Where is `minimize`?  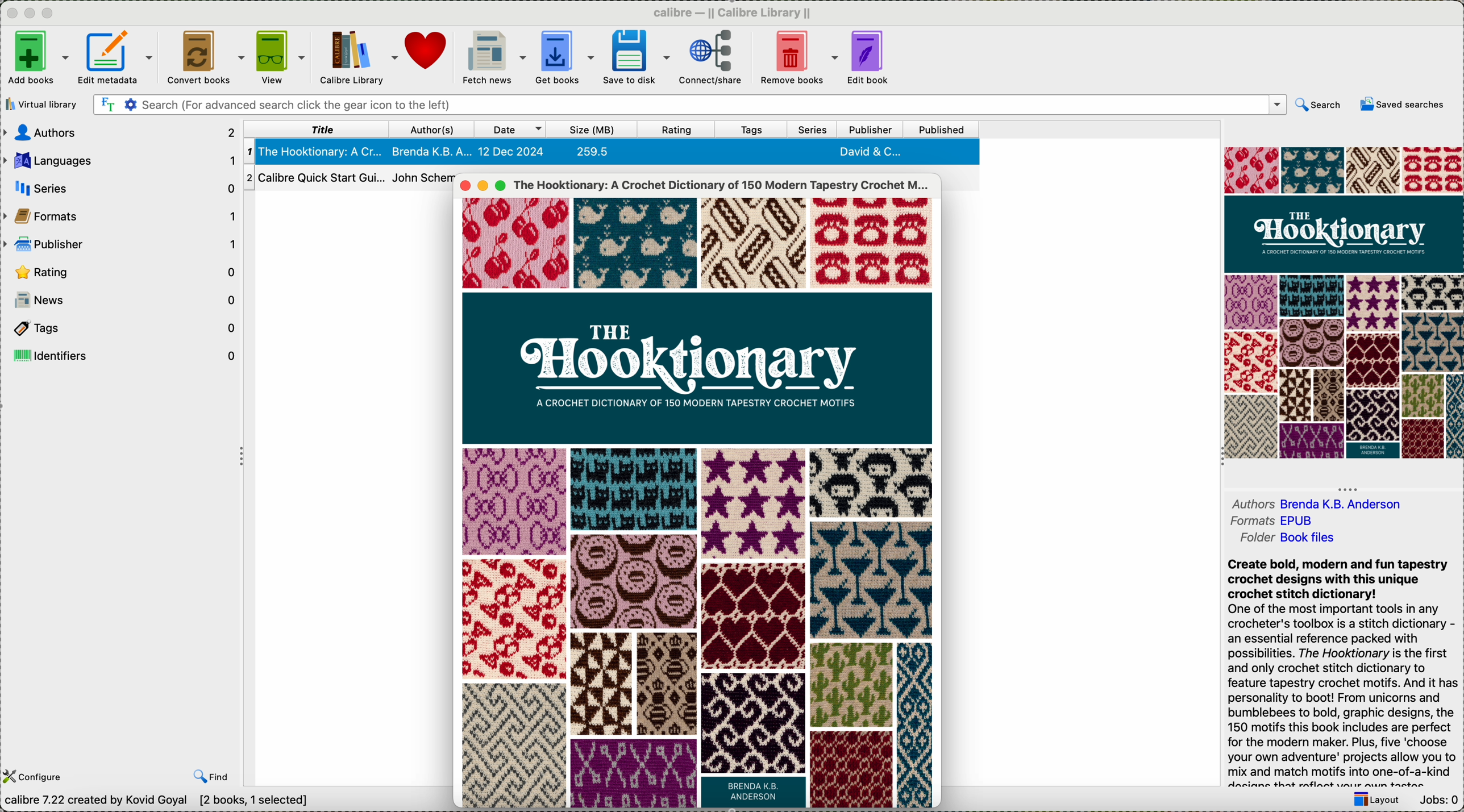 minimize is located at coordinates (484, 187).